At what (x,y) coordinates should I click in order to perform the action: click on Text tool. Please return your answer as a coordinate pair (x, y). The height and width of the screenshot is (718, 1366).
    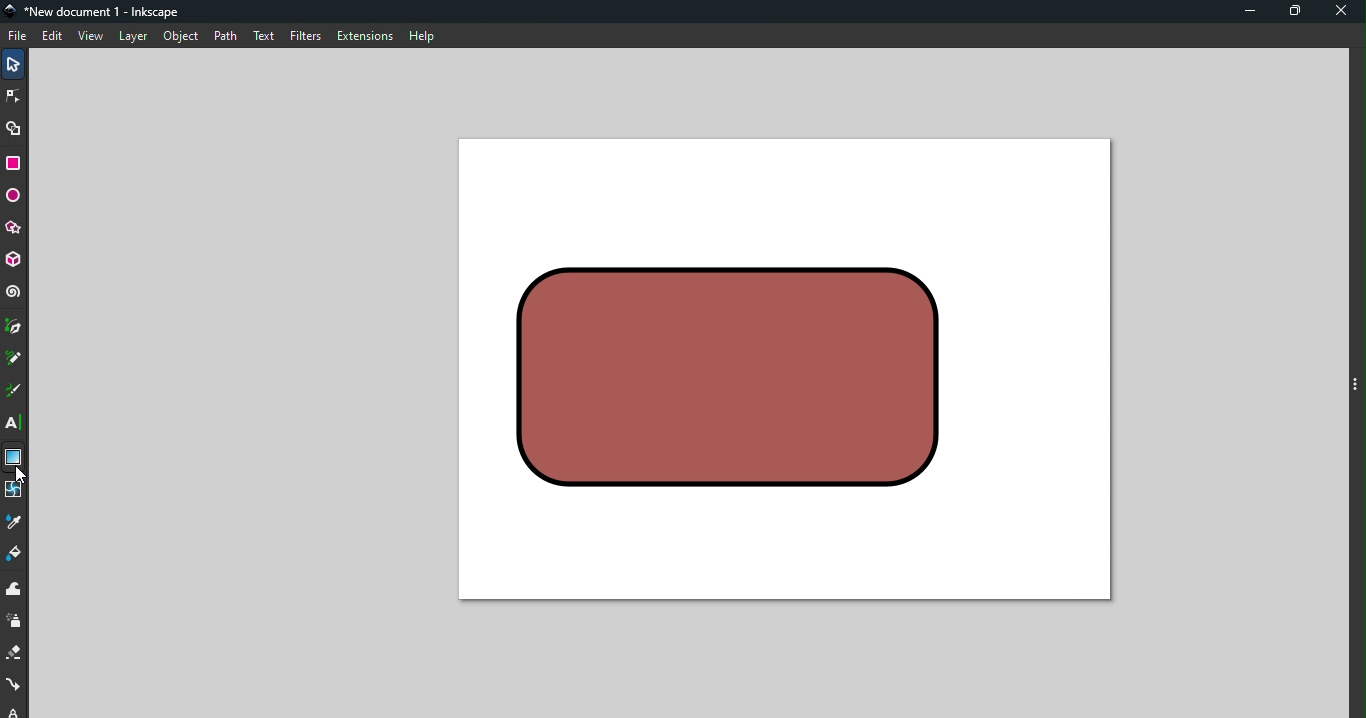
    Looking at the image, I should click on (15, 423).